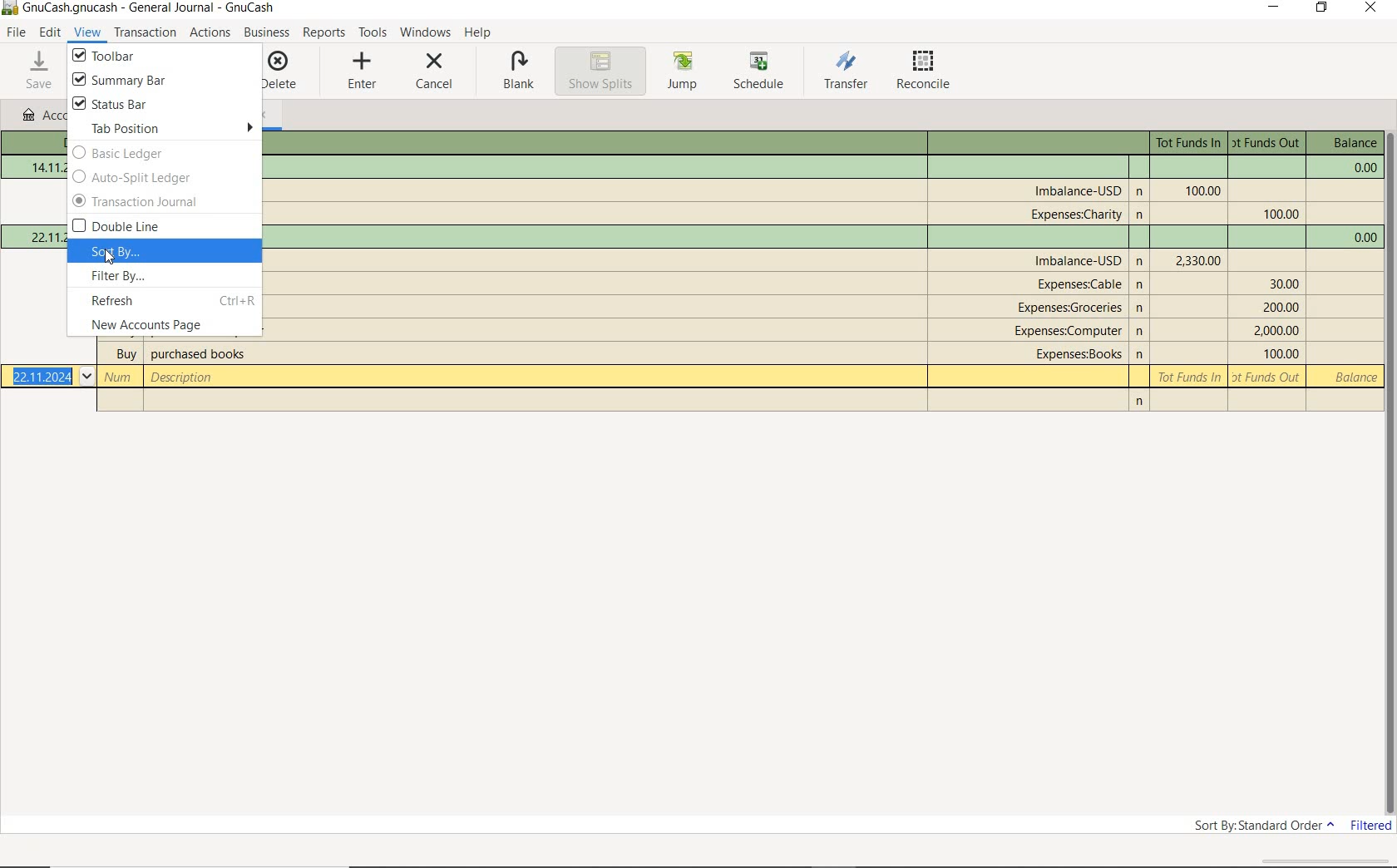  Describe the element at coordinates (1283, 284) in the screenshot. I see `Tot Funds Out` at that location.